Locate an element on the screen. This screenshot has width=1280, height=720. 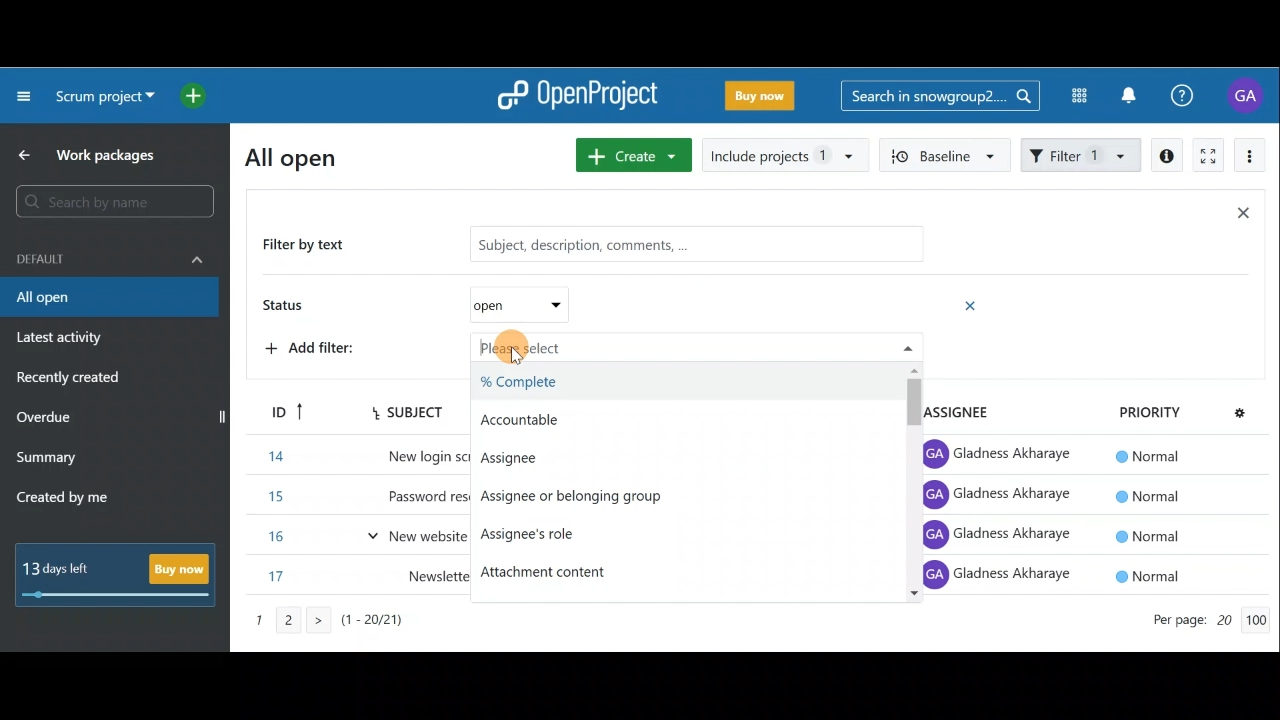
Please select is located at coordinates (689, 344).